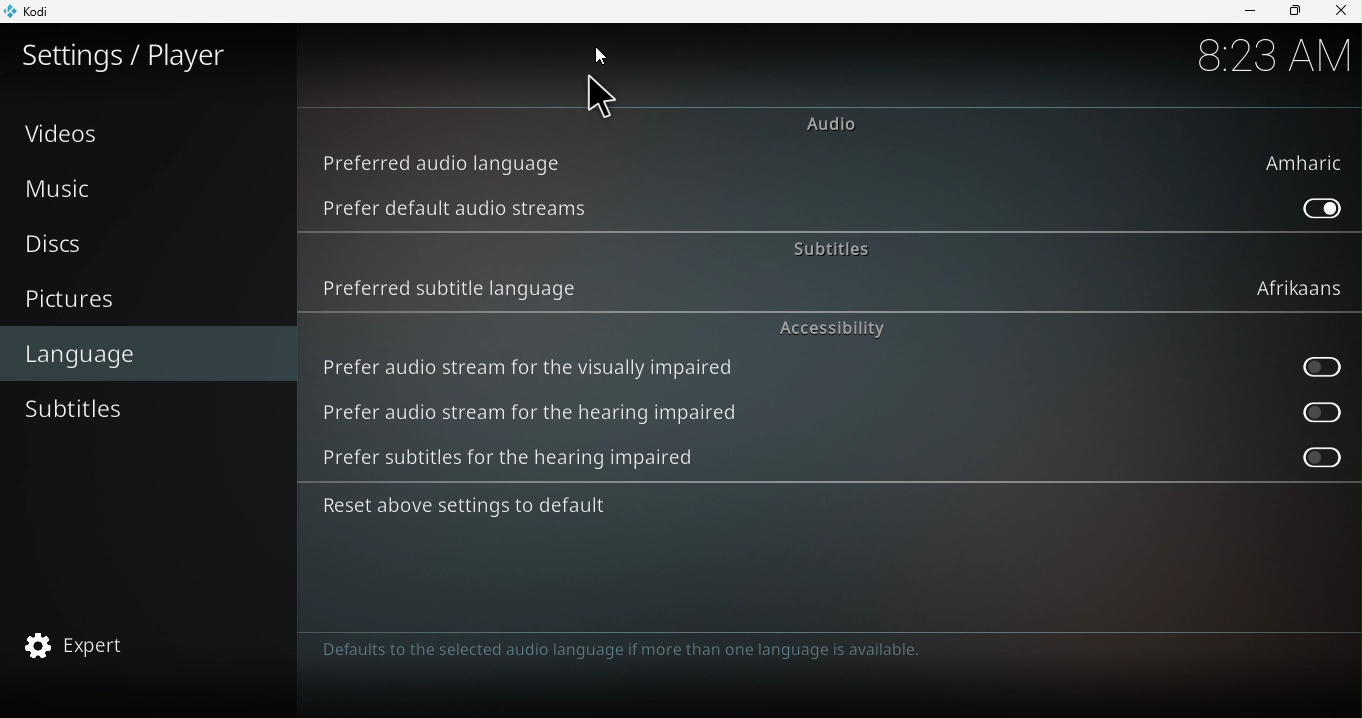 The image size is (1362, 718). What do you see at coordinates (1304, 458) in the screenshot?
I see `Prefer subtitles for the hearing impaired` at bounding box center [1304, 458].